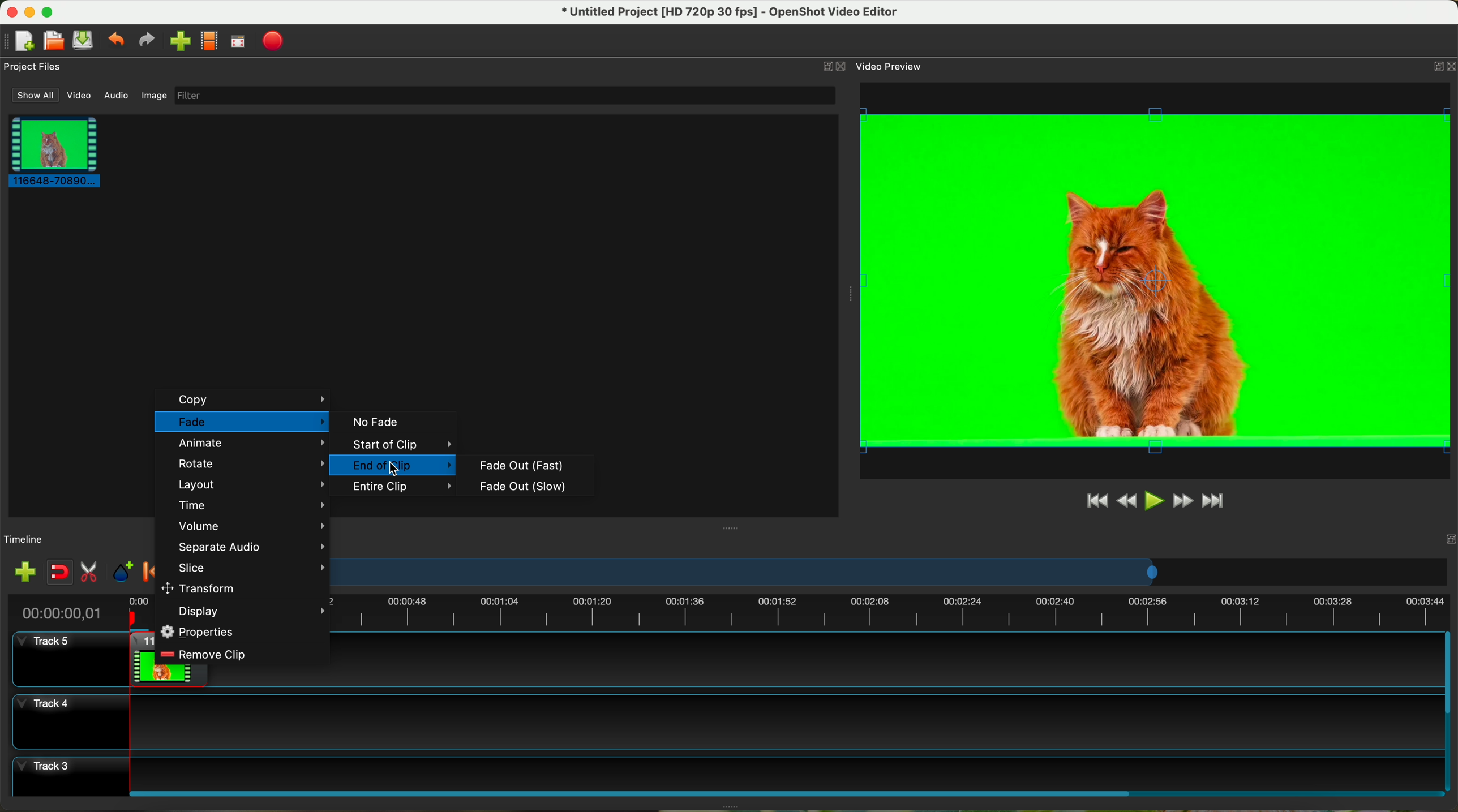 The image size is (1458, 812). What do you see at coordinates (250, 444) in the screenshot?
I see `animate` at bounding box center [250, 444].